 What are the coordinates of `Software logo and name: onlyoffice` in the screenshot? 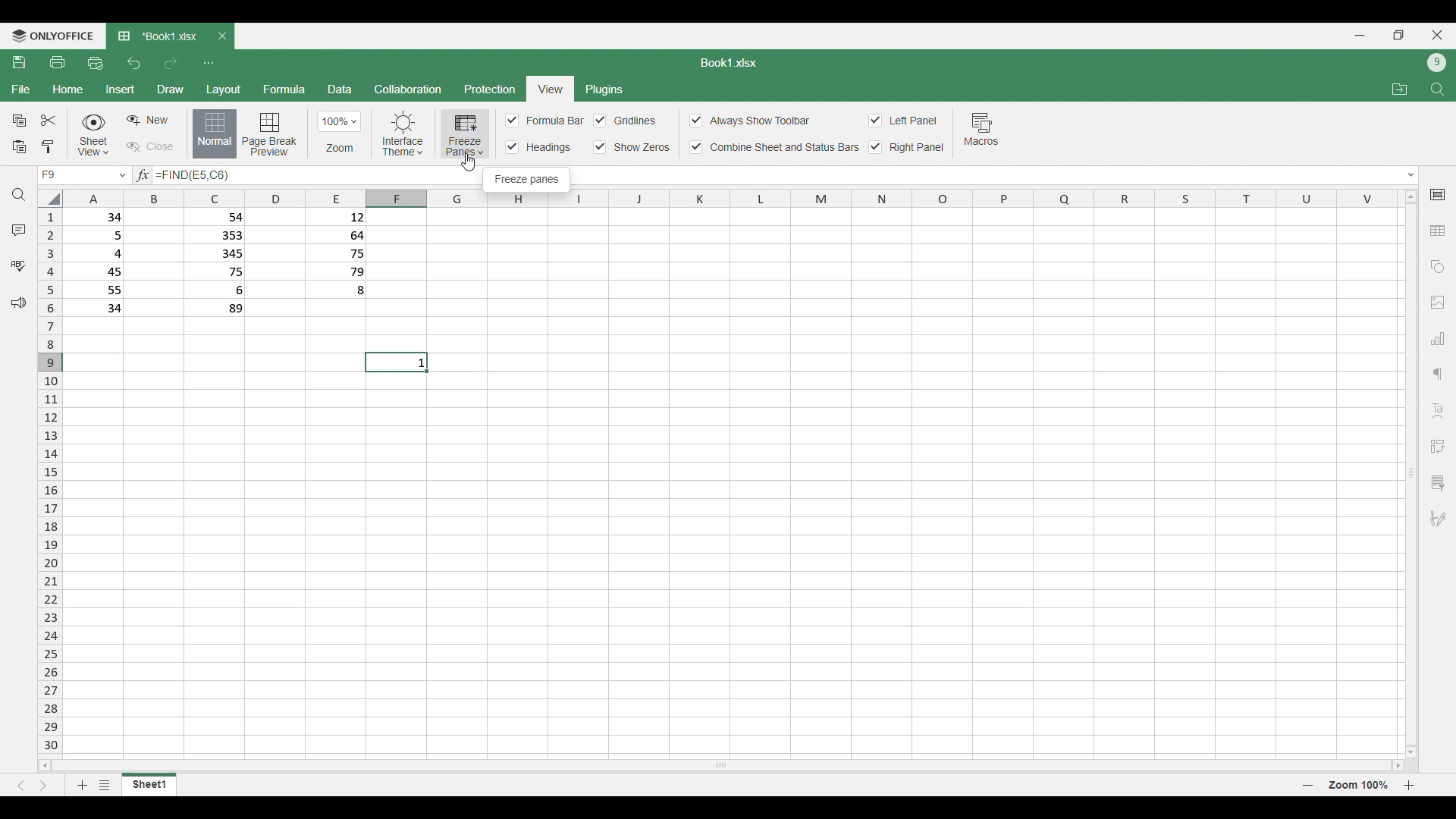 It's located at (52, 36).